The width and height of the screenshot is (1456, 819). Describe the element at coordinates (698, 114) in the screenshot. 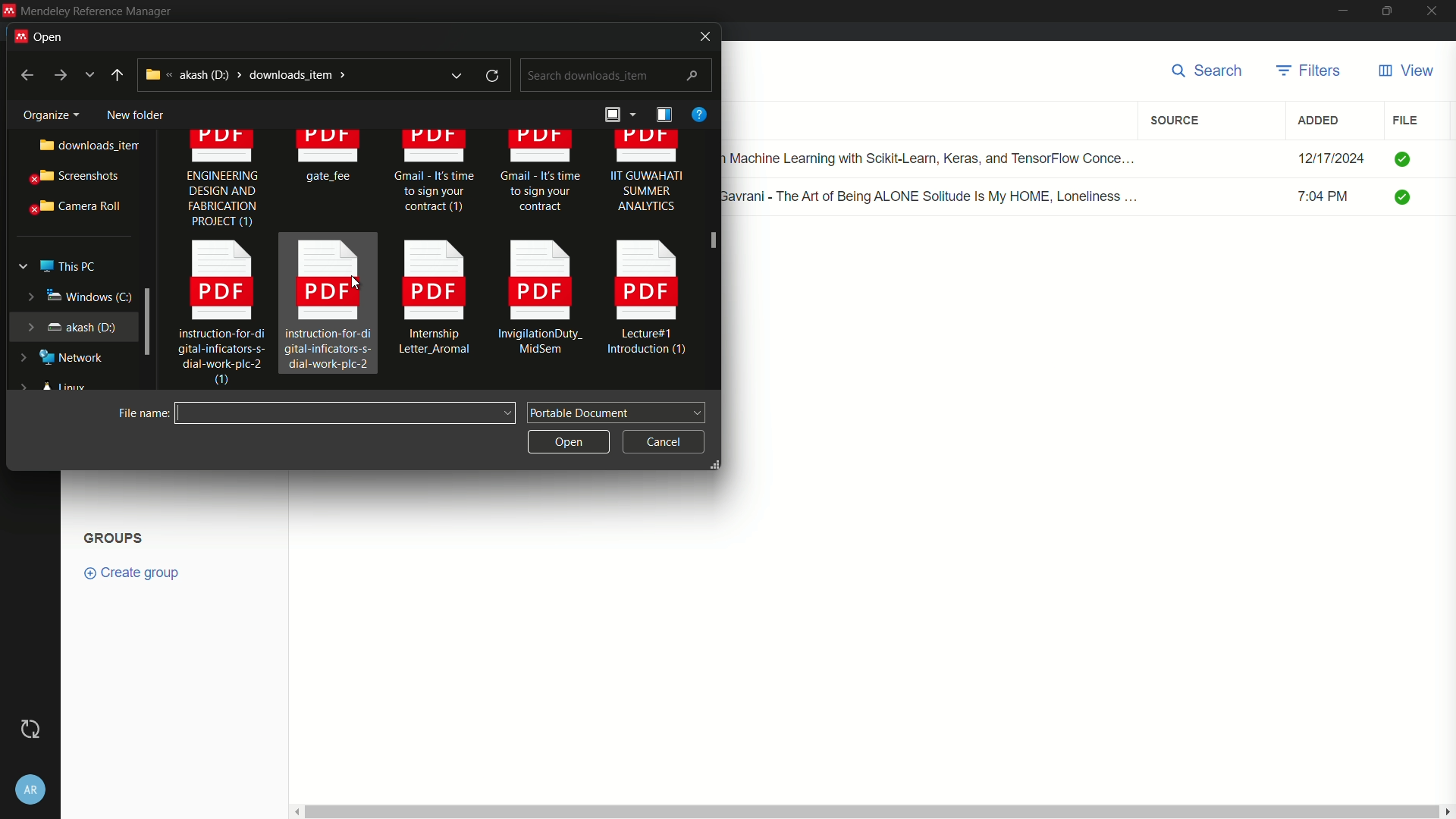

I see `help` at that location.